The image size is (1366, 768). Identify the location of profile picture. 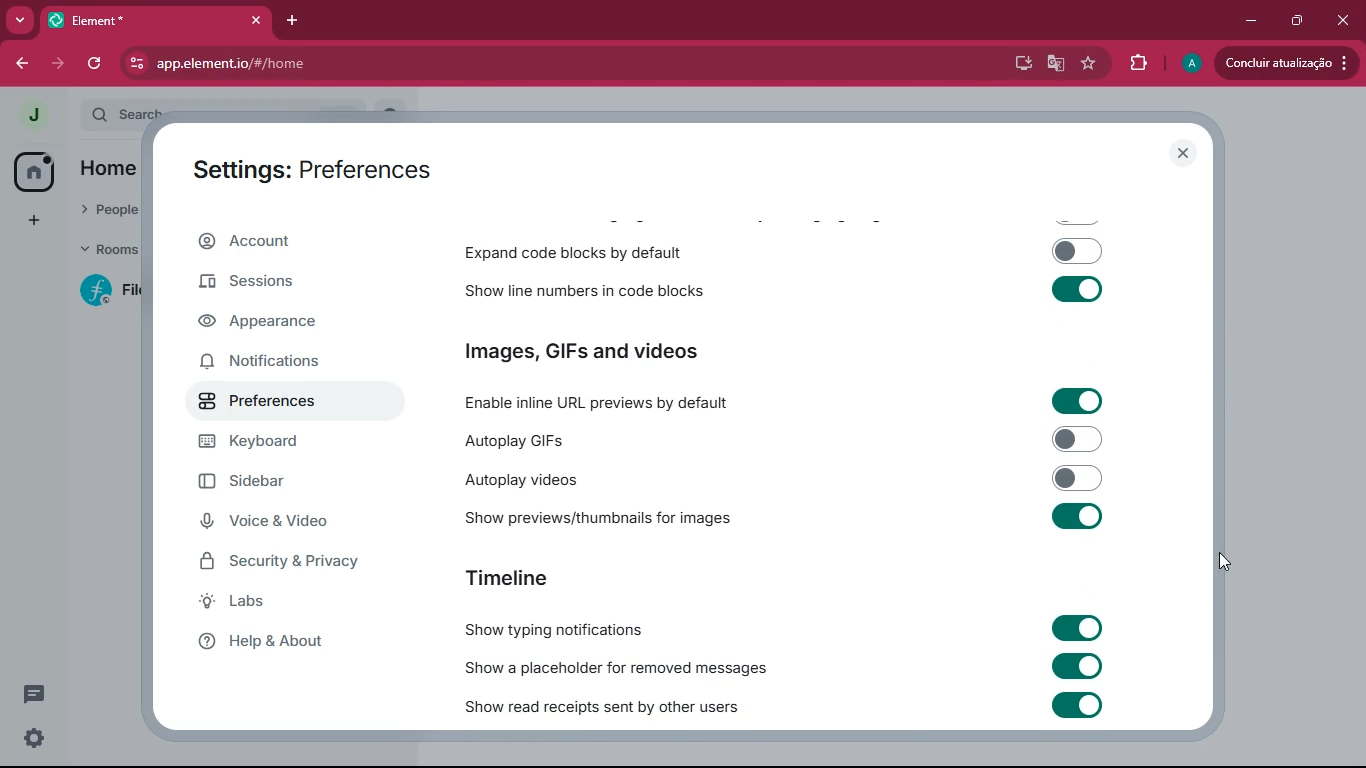
(1191, 65).